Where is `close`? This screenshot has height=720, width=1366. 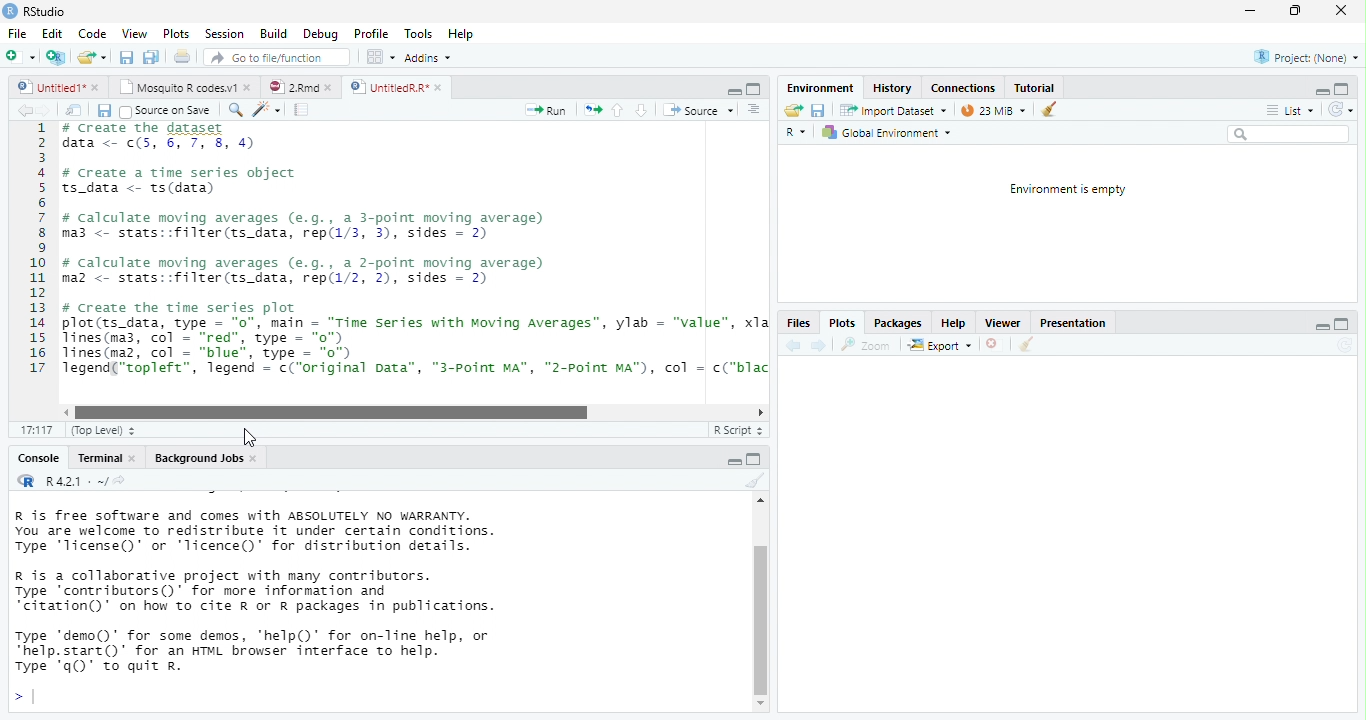 close is located at coordinates (250, 86).